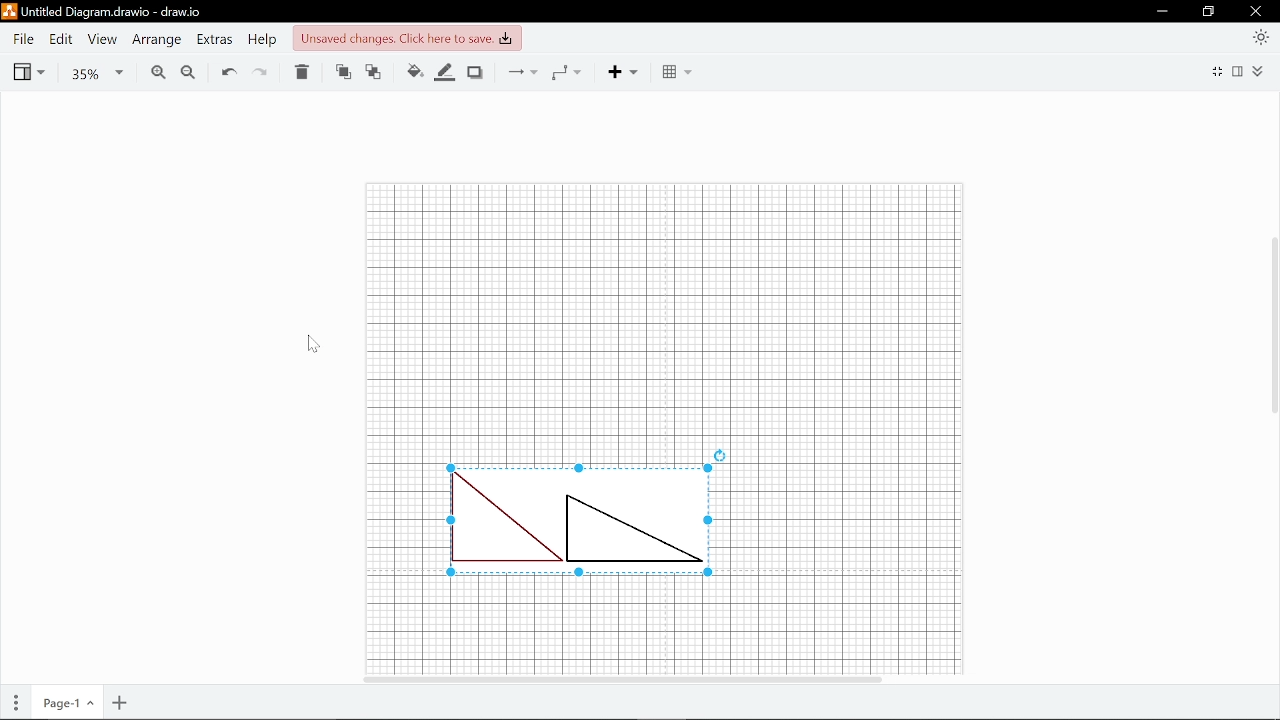  Describe the element at coordinates (157, 39) in the screenshot. I see `Arrange` at that location.